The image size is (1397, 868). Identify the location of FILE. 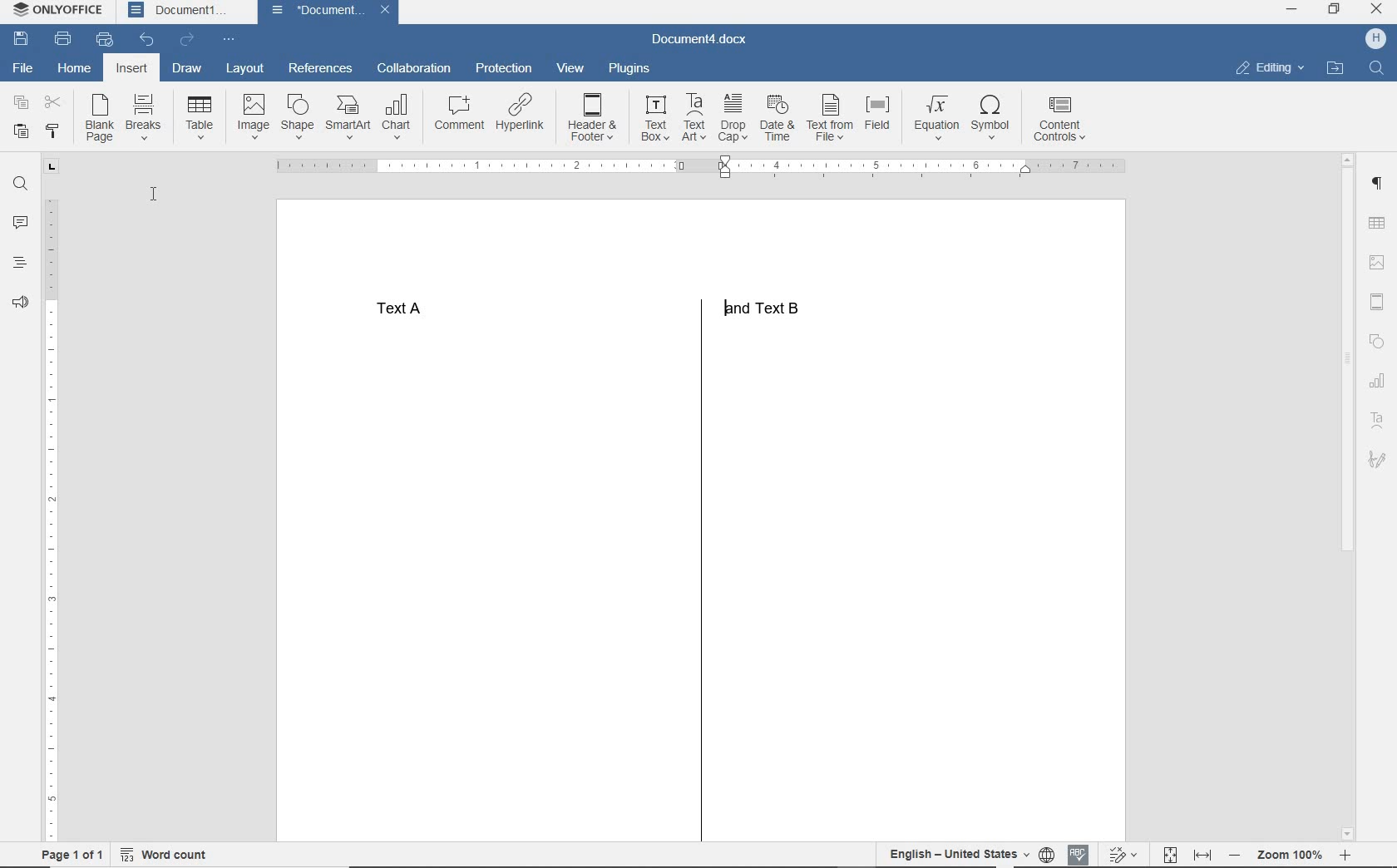
(28, 69).